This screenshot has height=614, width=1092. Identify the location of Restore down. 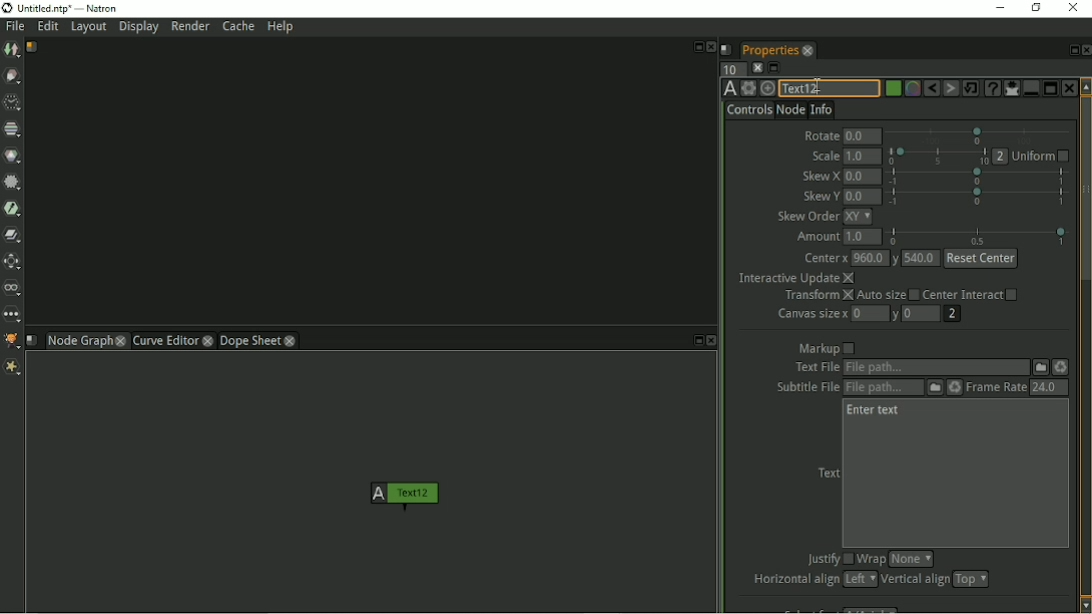
(1034, 7).